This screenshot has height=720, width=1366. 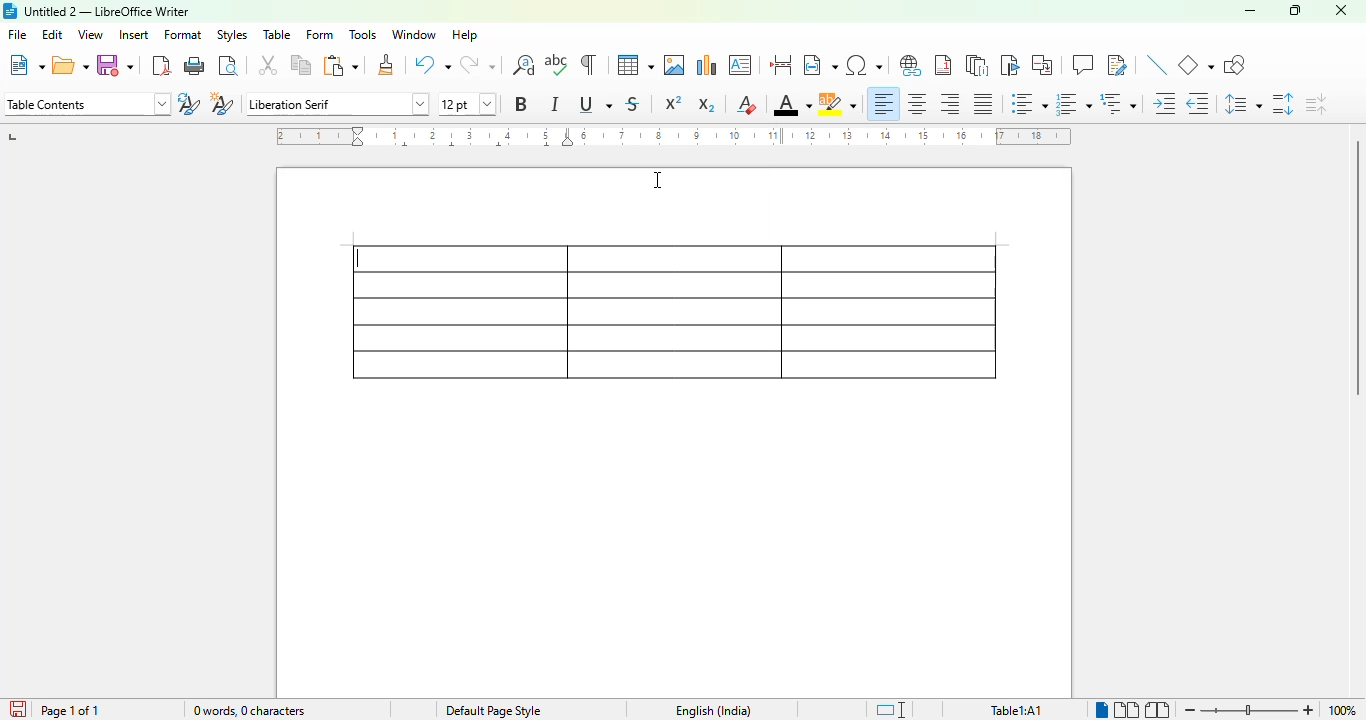 What do you see at coordinates (10, 11) in the screenshot?
I see `logo` at bounding box center [10, 11].